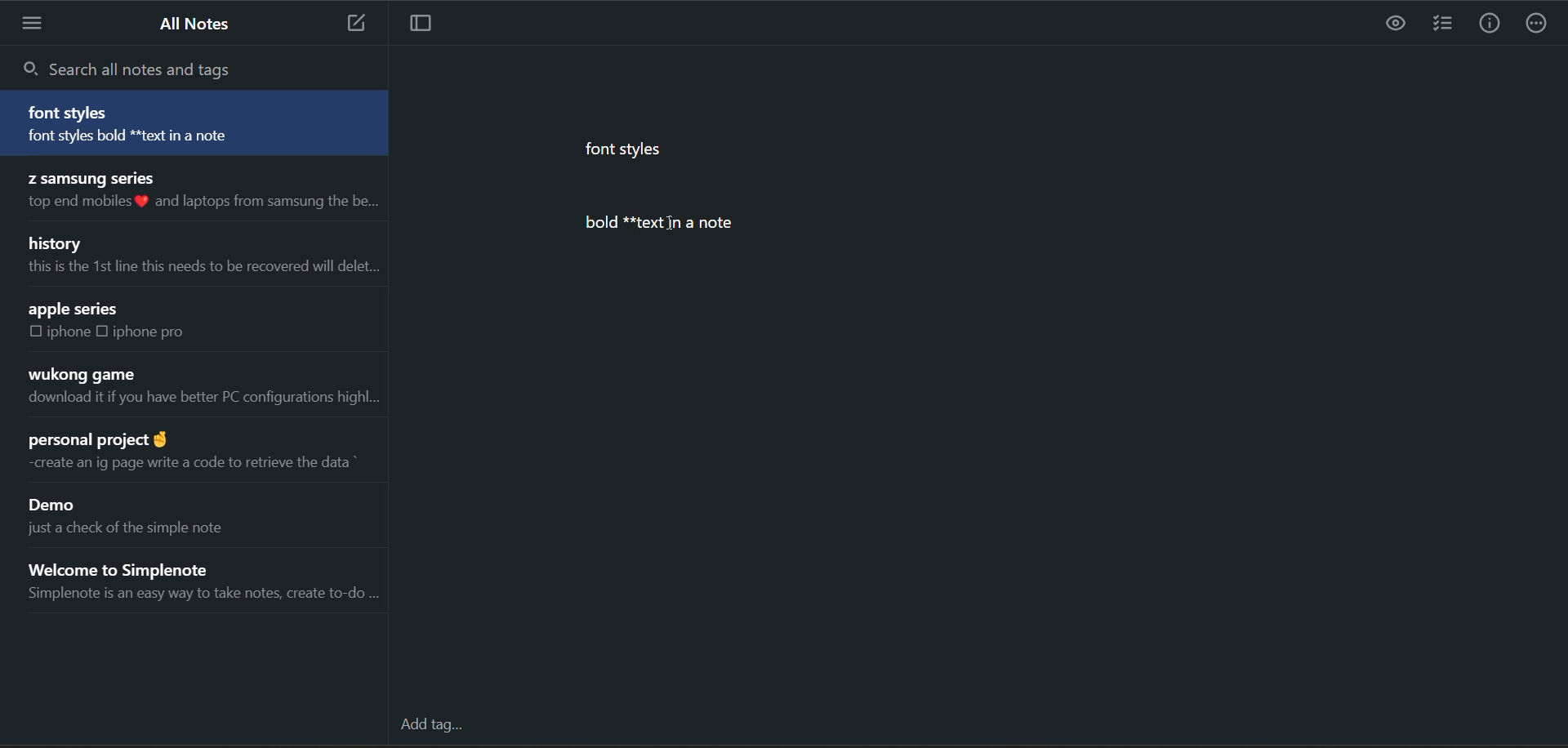 This screenshot has height=748, width=1568. What do you see at coordinates (154, 138) in the screenshot?
I see `font styles bold text in a note` at bounding box center [154, 138].